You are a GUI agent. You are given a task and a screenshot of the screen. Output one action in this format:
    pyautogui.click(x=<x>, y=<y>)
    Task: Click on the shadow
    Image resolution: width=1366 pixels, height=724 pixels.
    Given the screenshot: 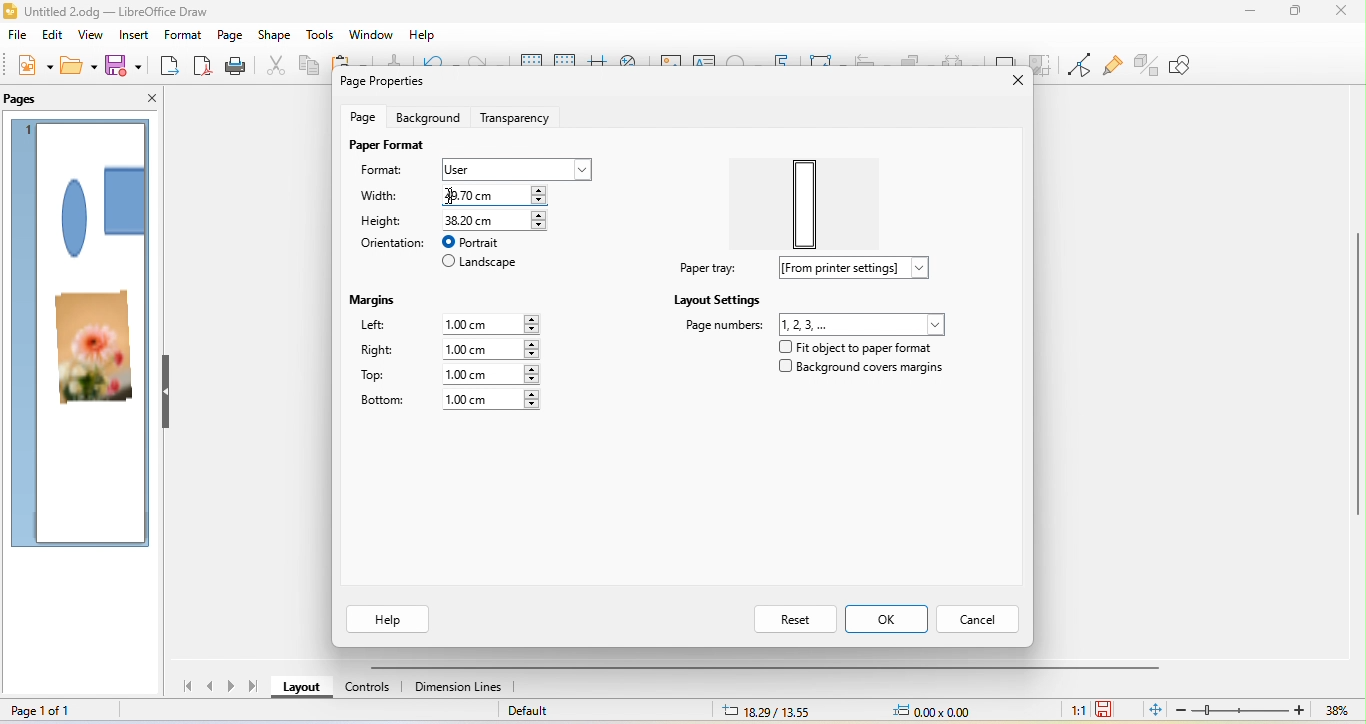 What is the action you would take?
    pyautogui.click(x=1004, y=52)
    